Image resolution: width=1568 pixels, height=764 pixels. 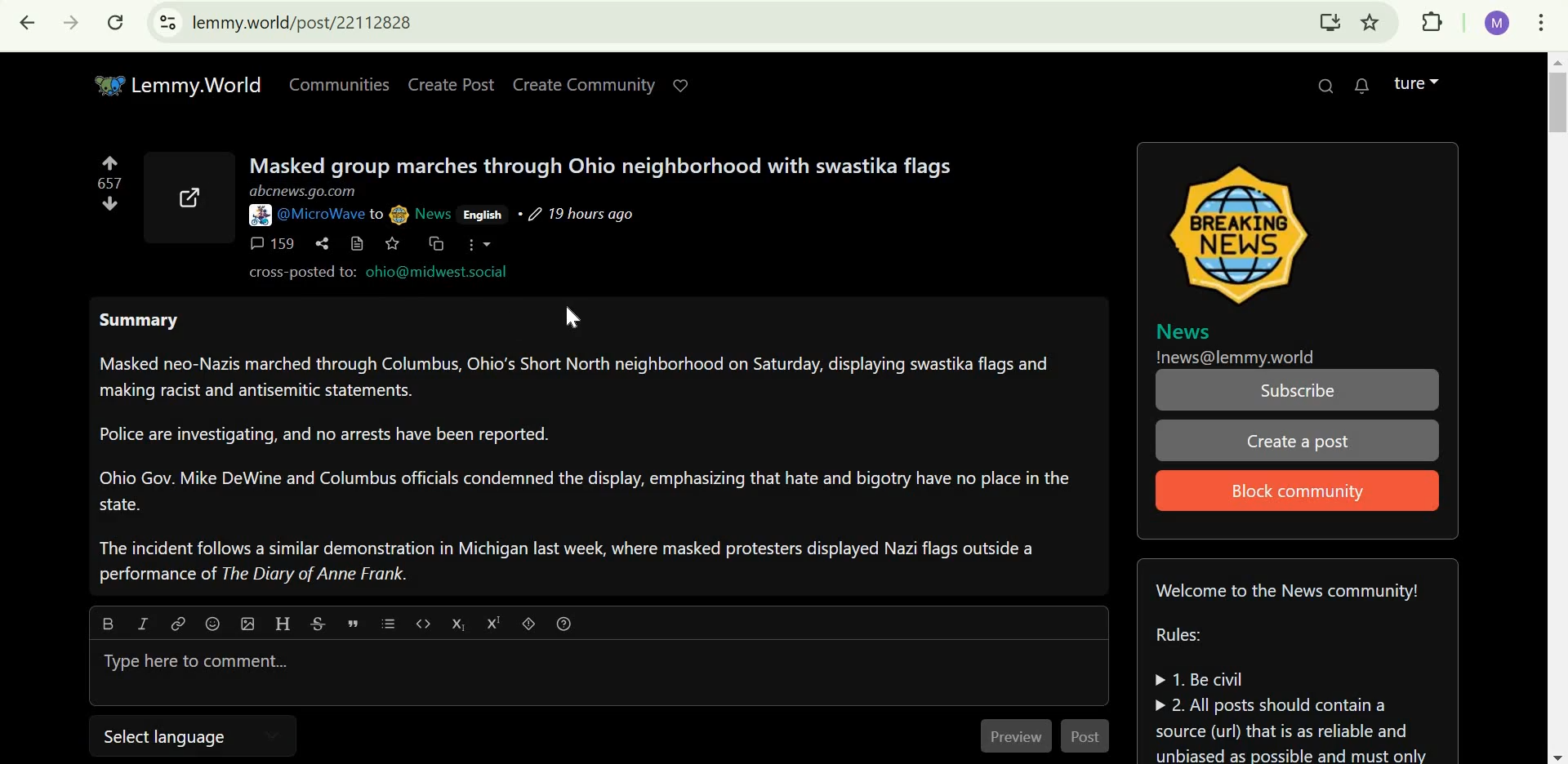 What do you see at coordinates (1246, 233) in the screenshot?
I see `image icon` at bounding box center [1246, 233].